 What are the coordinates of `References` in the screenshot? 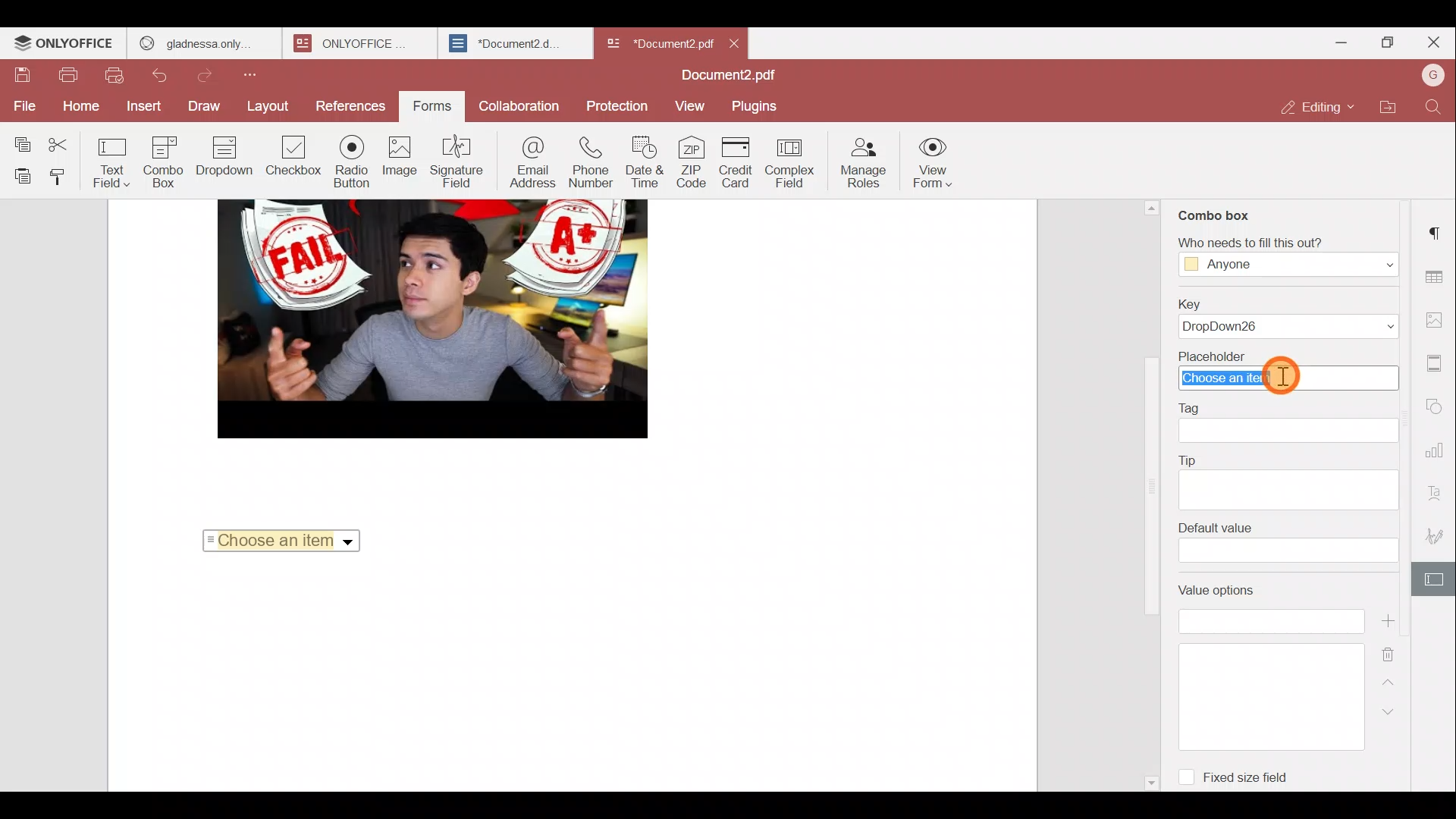 It's located at (347, 104).